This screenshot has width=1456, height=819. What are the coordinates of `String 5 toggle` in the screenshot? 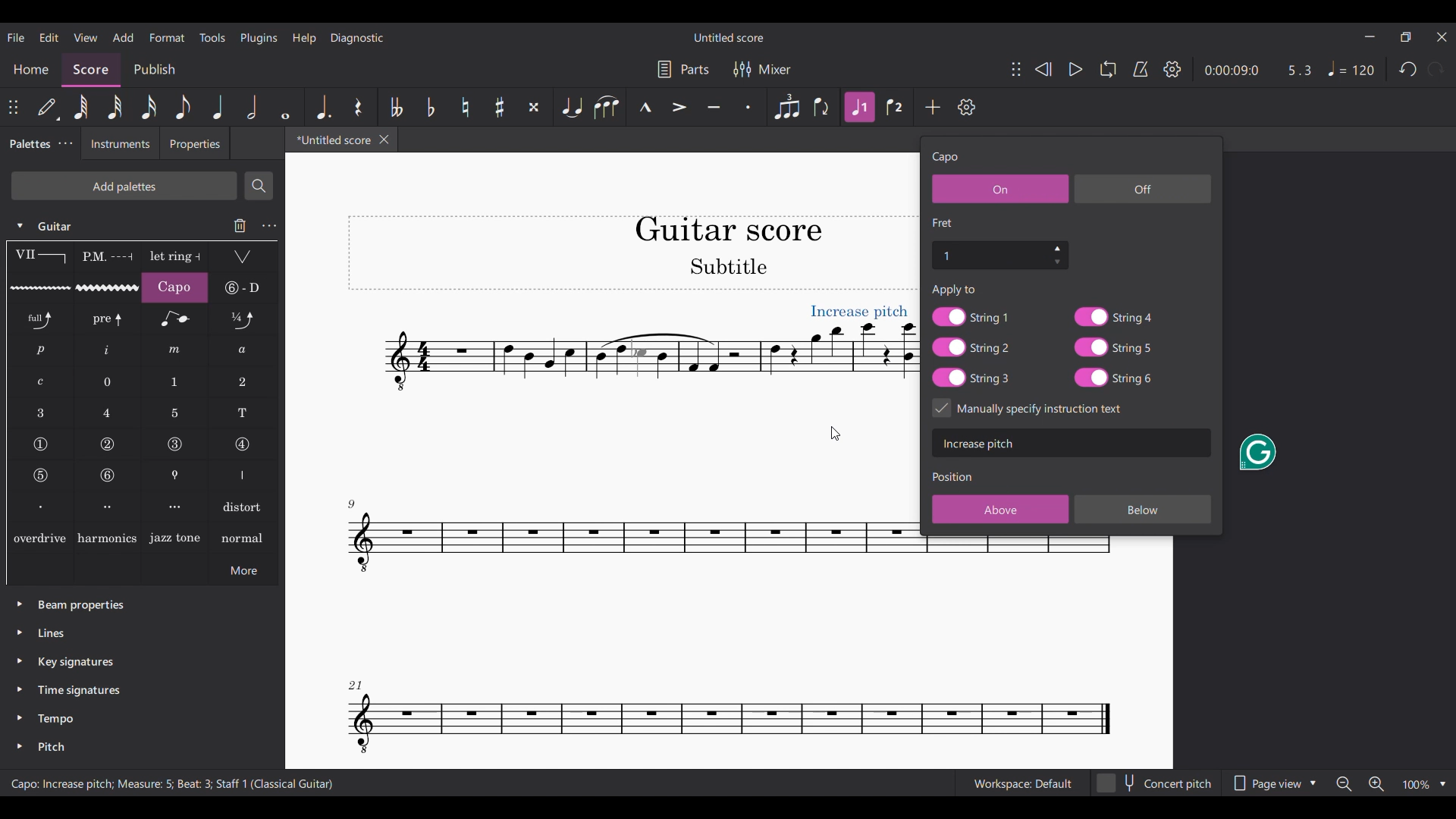 It's located at (1116, 347).